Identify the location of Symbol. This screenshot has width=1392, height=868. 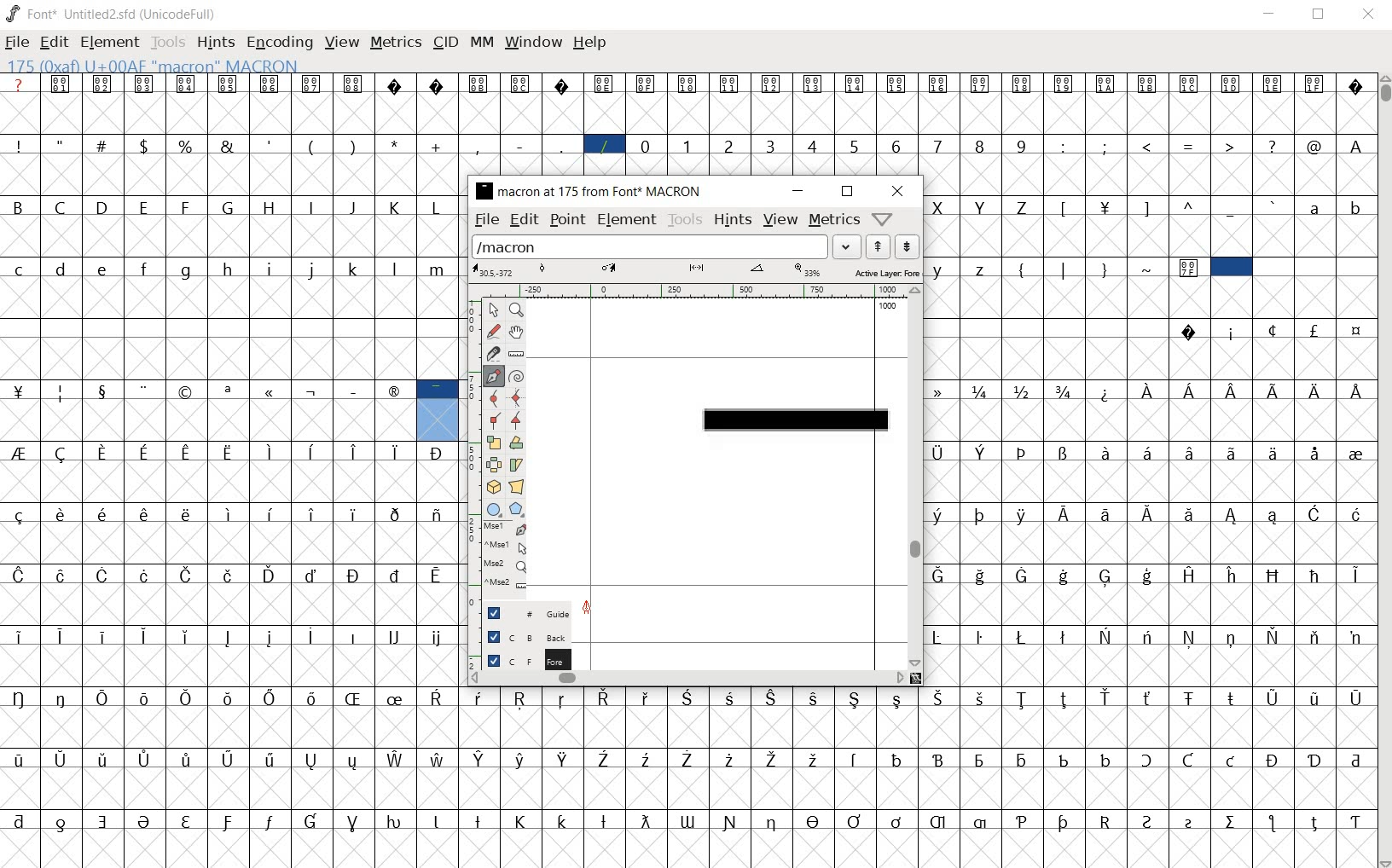
(1147, 575).